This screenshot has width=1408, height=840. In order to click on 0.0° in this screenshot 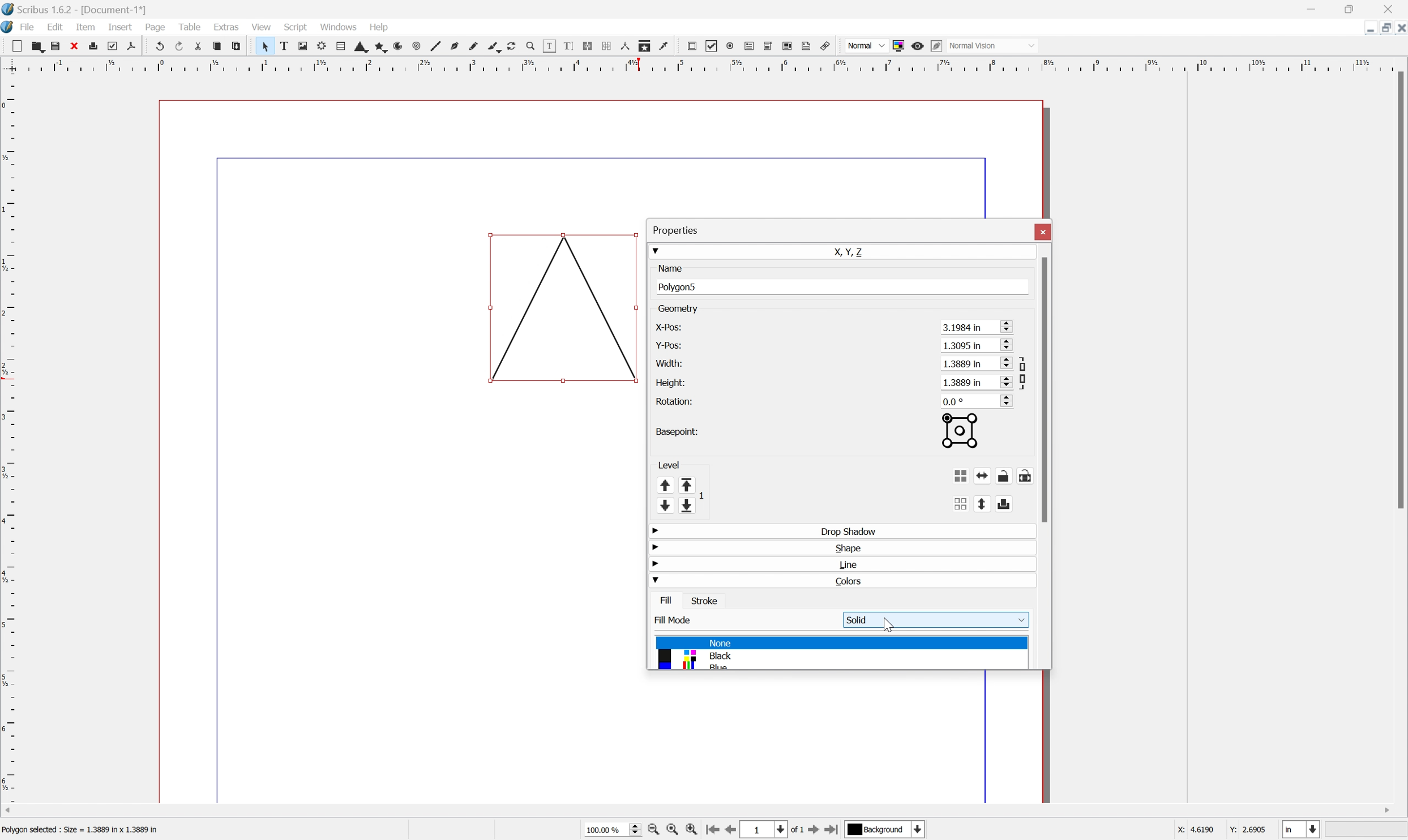, I will do `click(970, 401)`.